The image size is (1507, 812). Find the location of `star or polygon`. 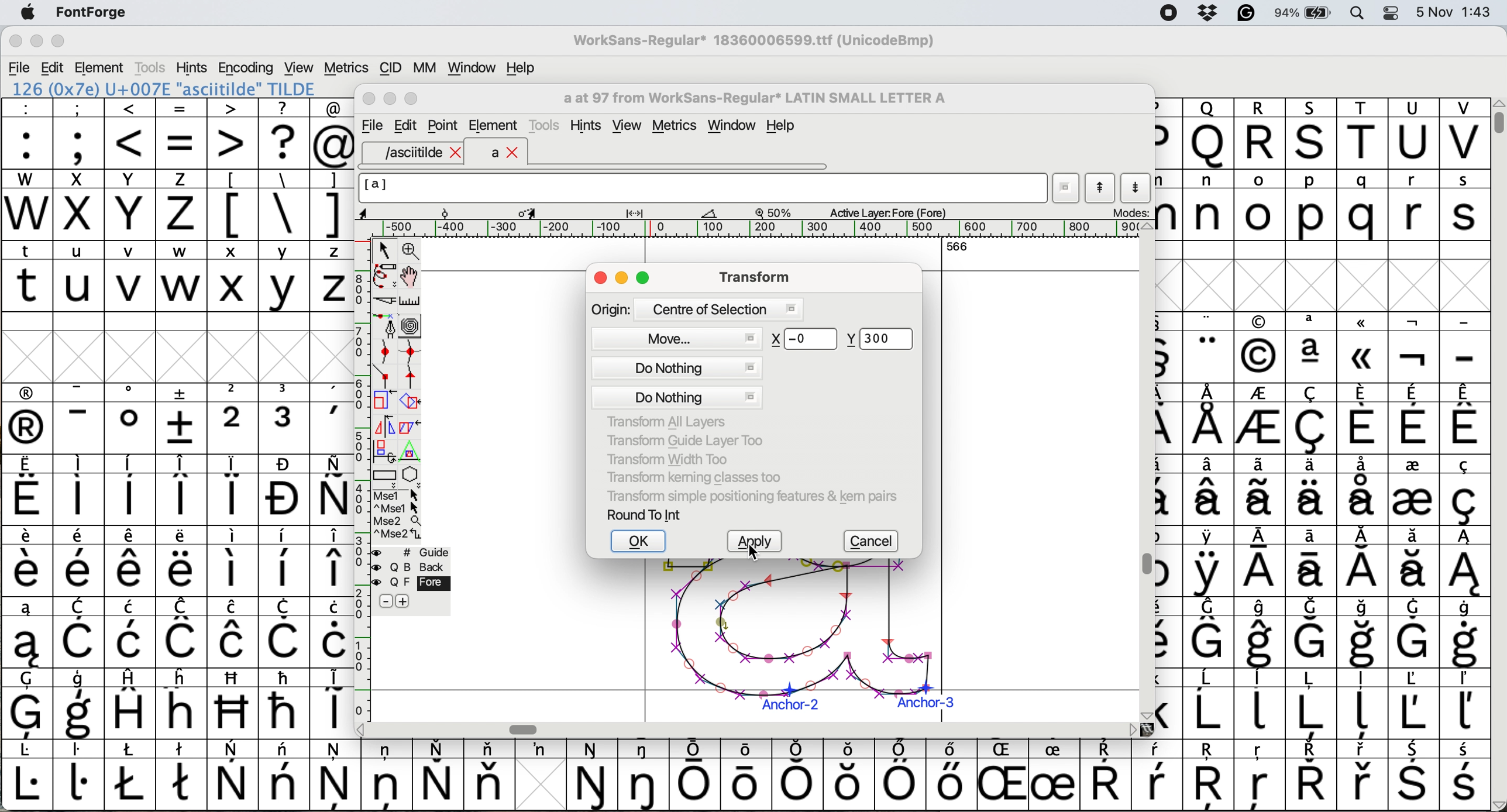

star or polygon is located at coordinates (411, 474).